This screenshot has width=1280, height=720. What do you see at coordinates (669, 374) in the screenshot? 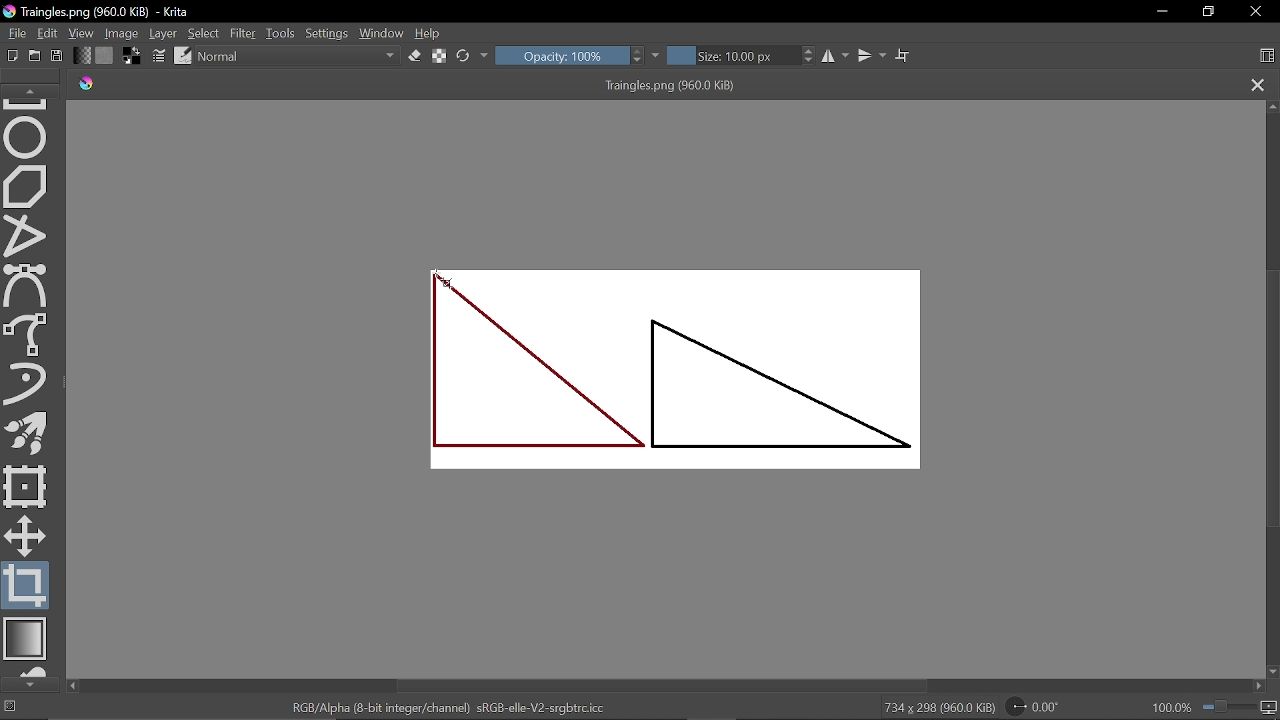
I see `Two triangles` at bounding box center [669, 374].